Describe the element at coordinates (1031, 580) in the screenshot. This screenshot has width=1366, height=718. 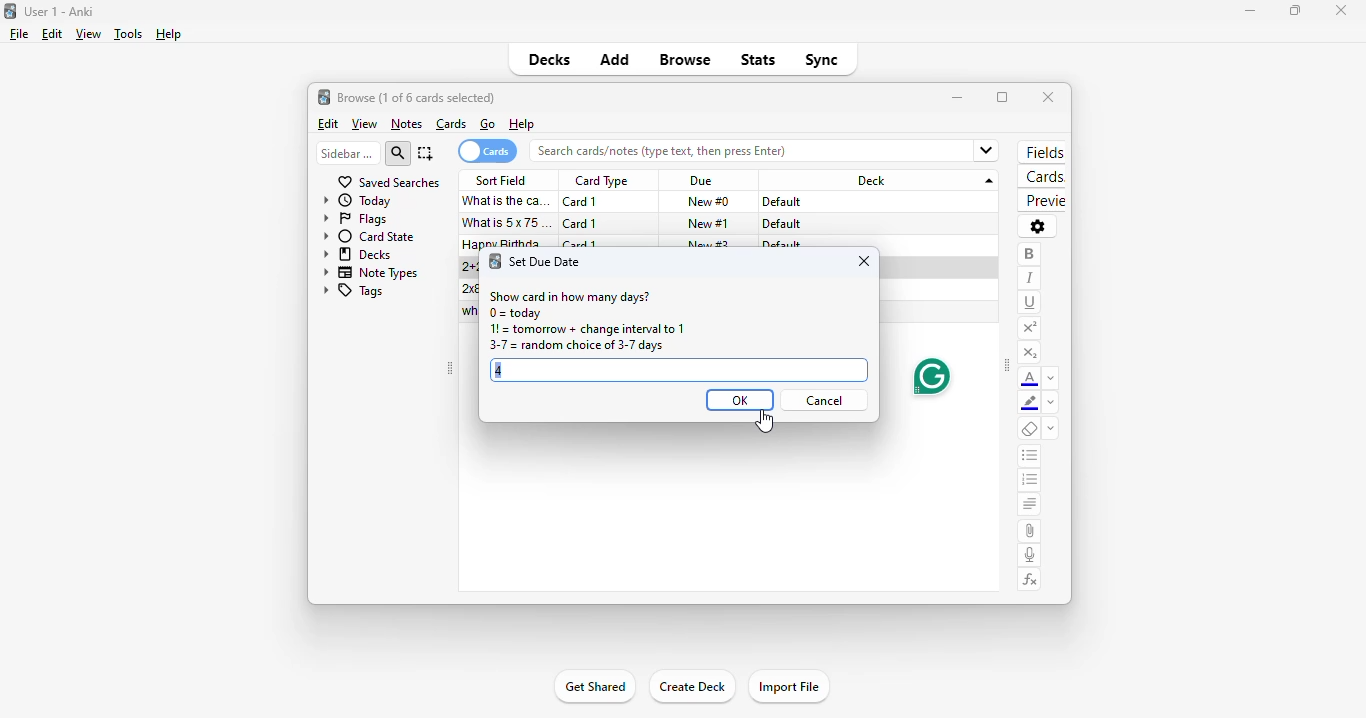
I see `equations` at that location.